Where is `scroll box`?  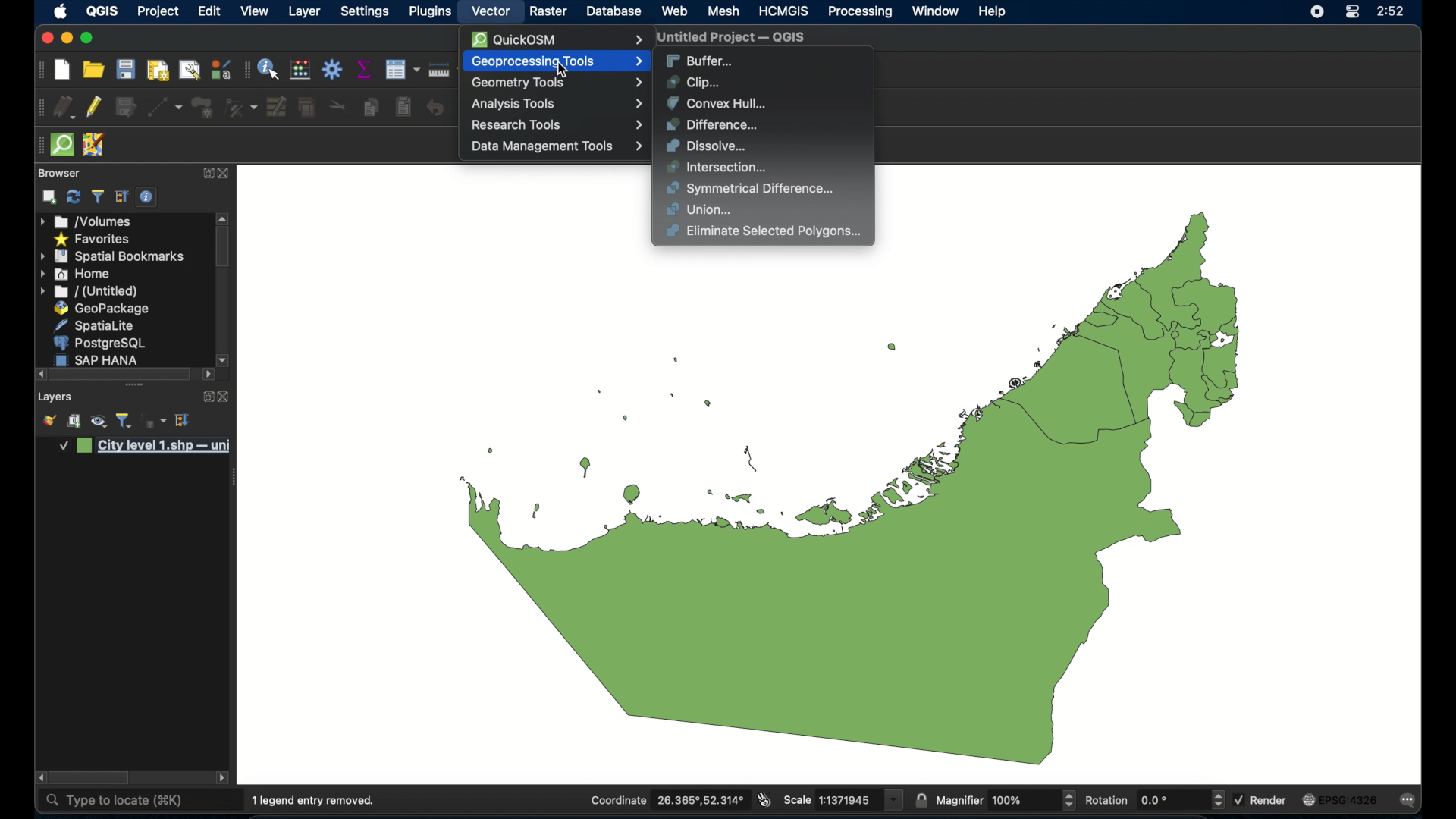 scroll box is located at coordinates (123, 374).